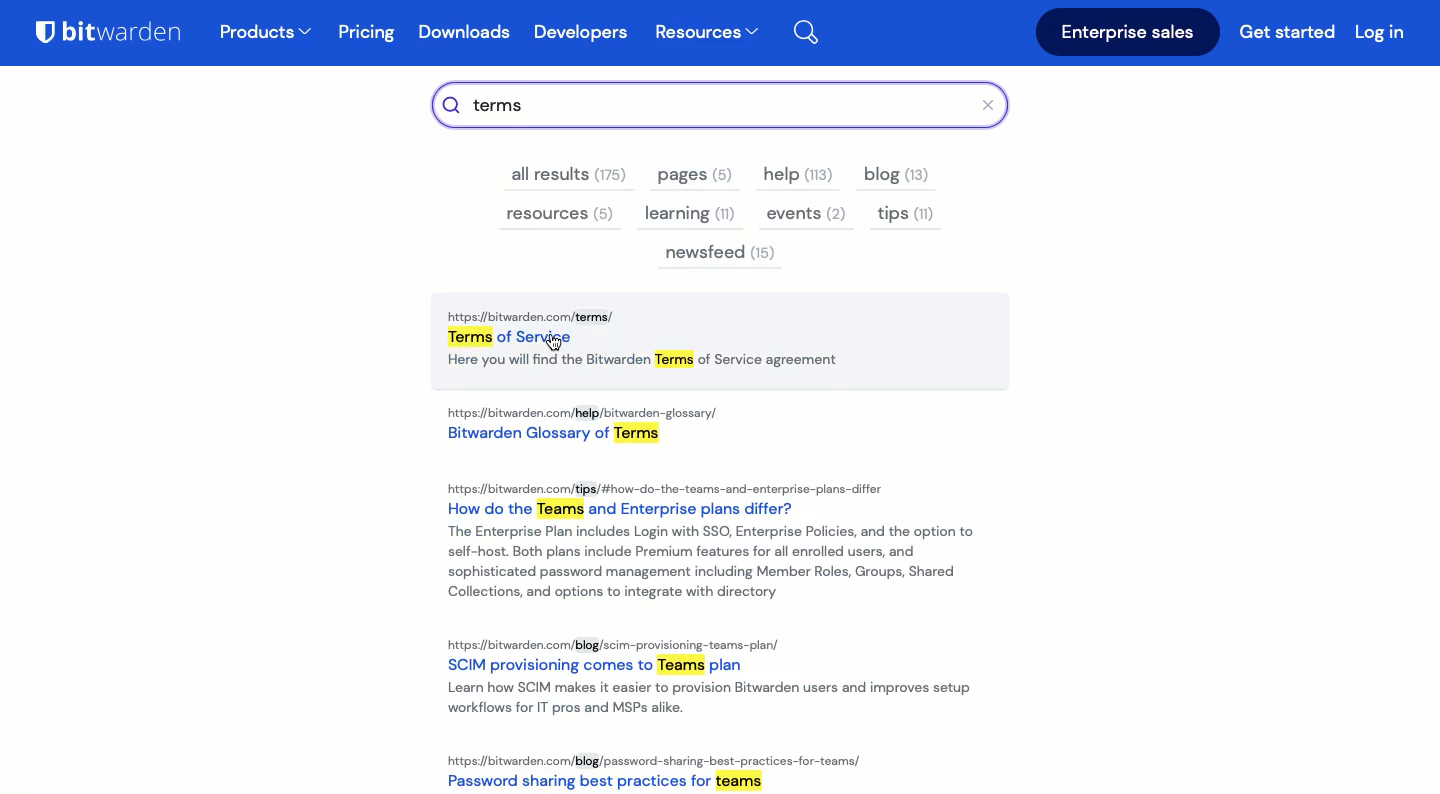 The image size is (1440, 794). What do you see at coordinates (708, 104) in the screenshot?
I see `Search bar` at bounding box center [708, 104].